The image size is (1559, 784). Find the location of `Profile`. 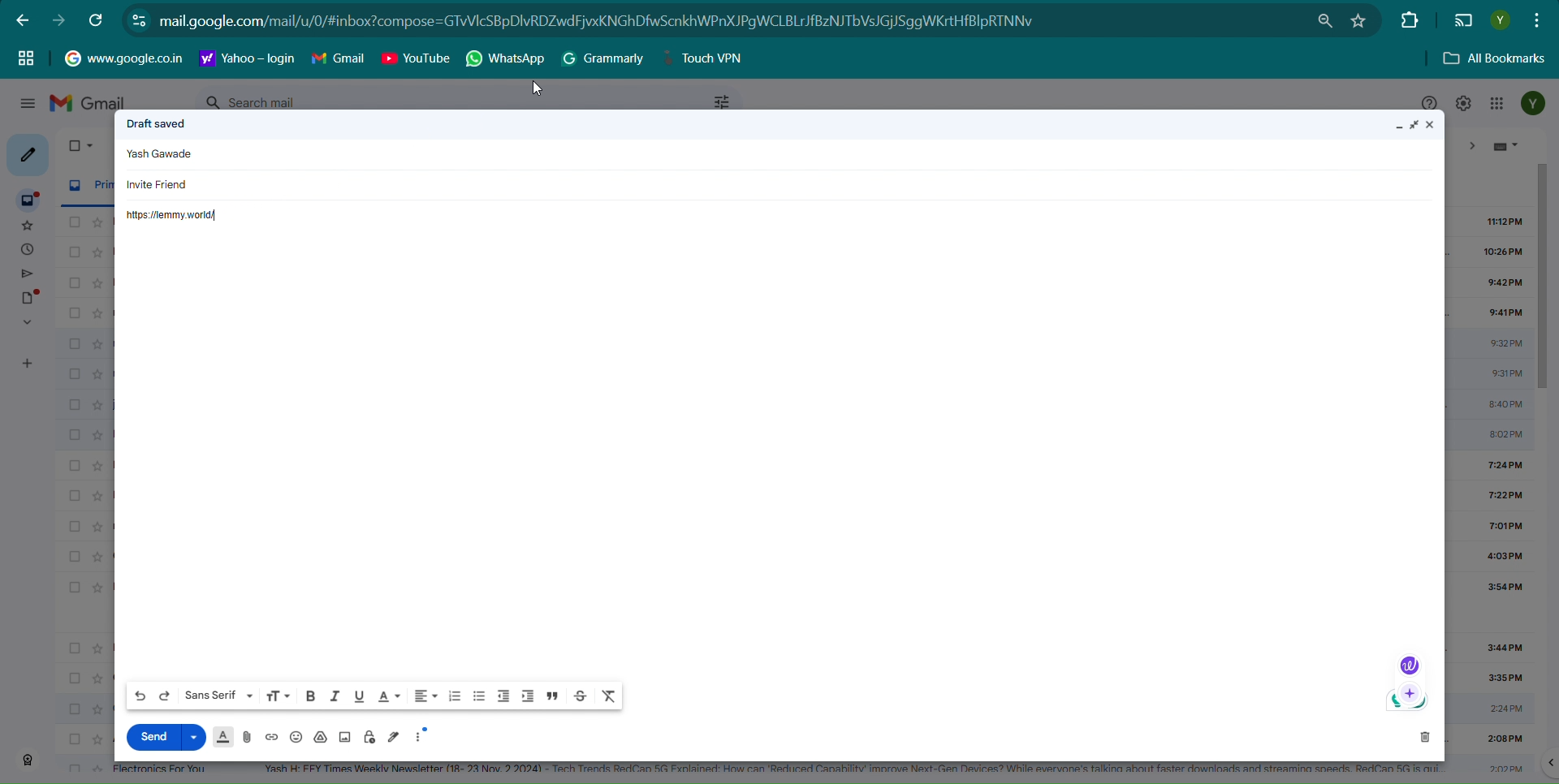

Profile is located at coordinates (1500, 20).